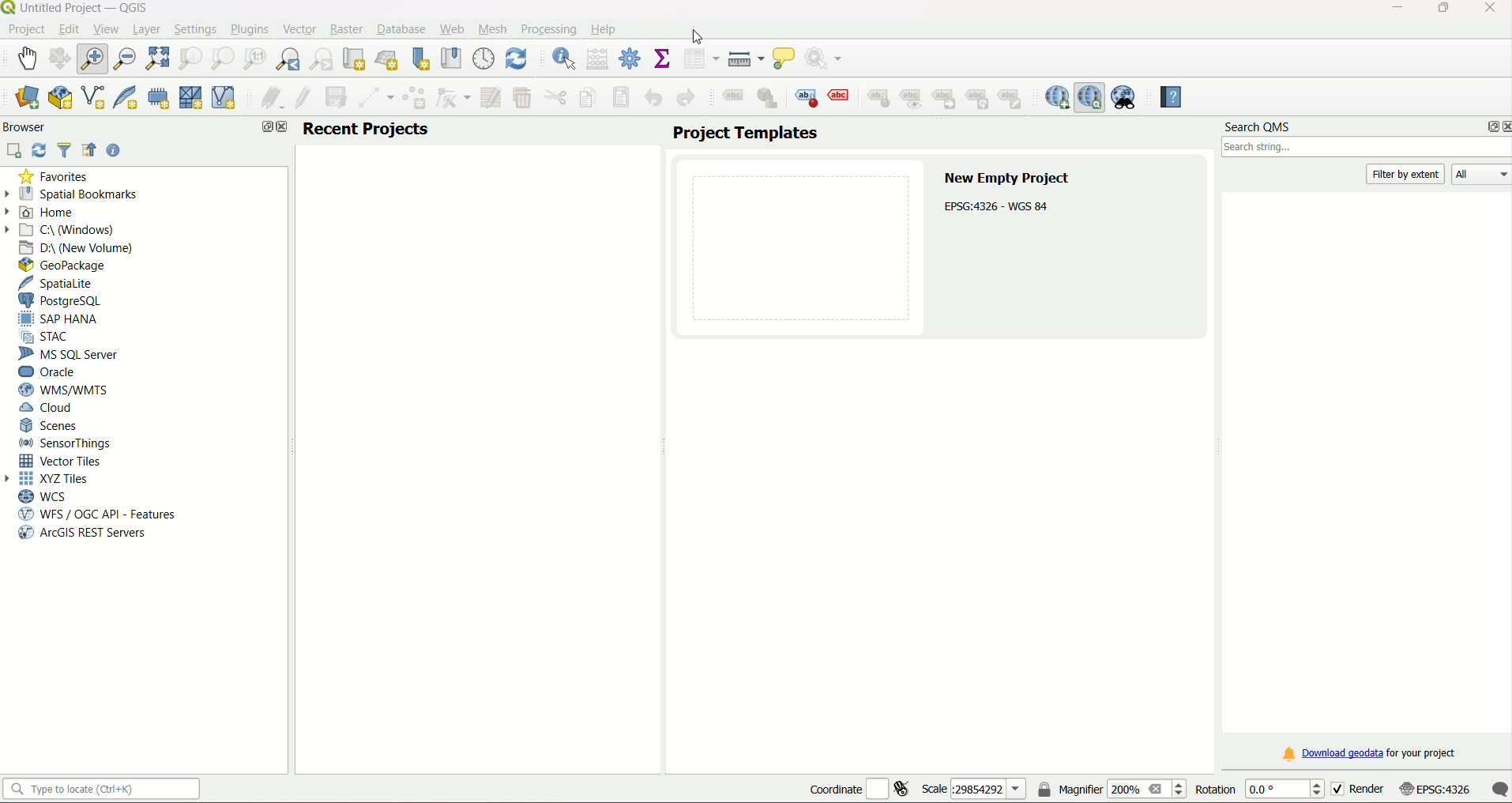  I want to click on project templates, so click(744, 134).